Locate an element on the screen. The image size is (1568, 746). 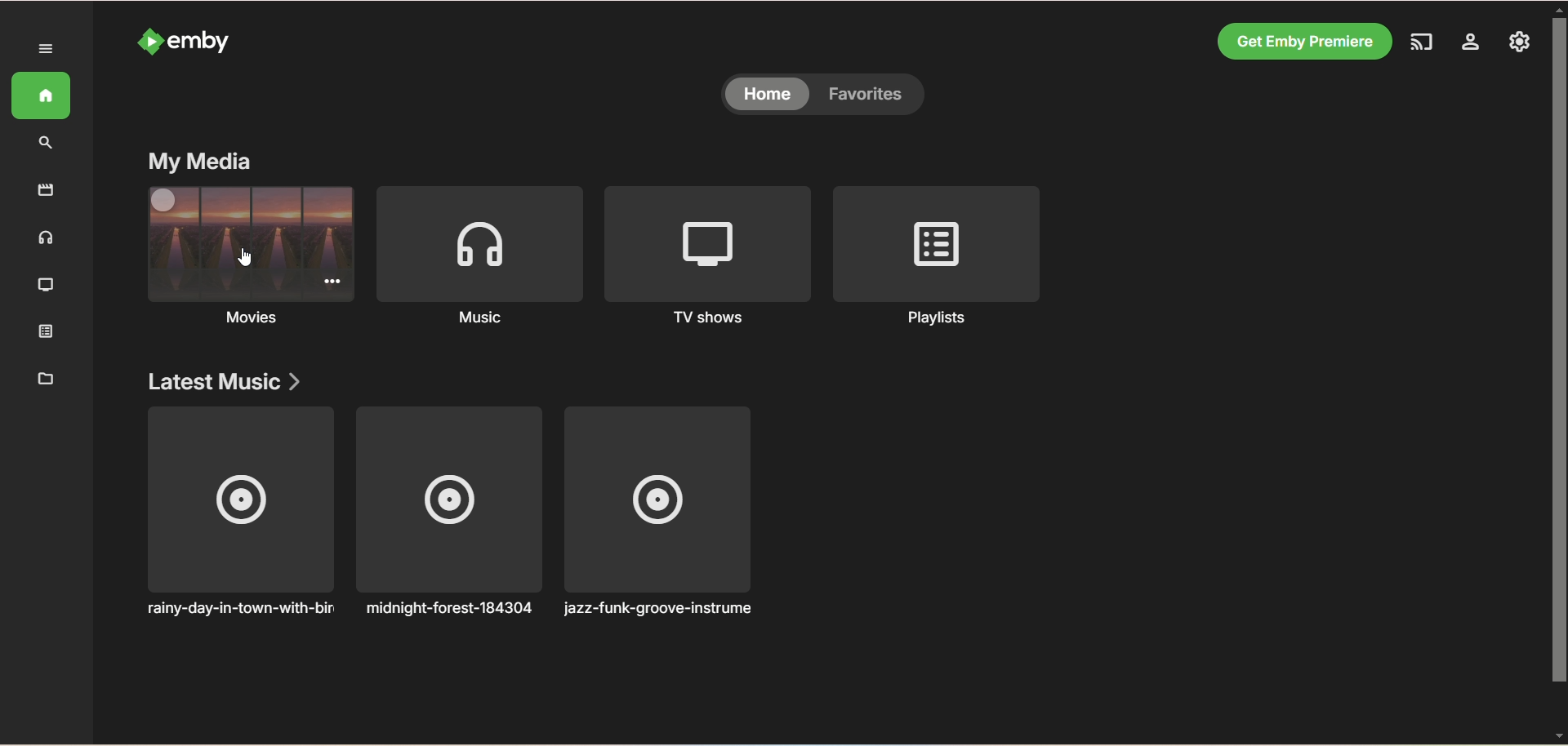
favorites is located at coordinates (875, 96).